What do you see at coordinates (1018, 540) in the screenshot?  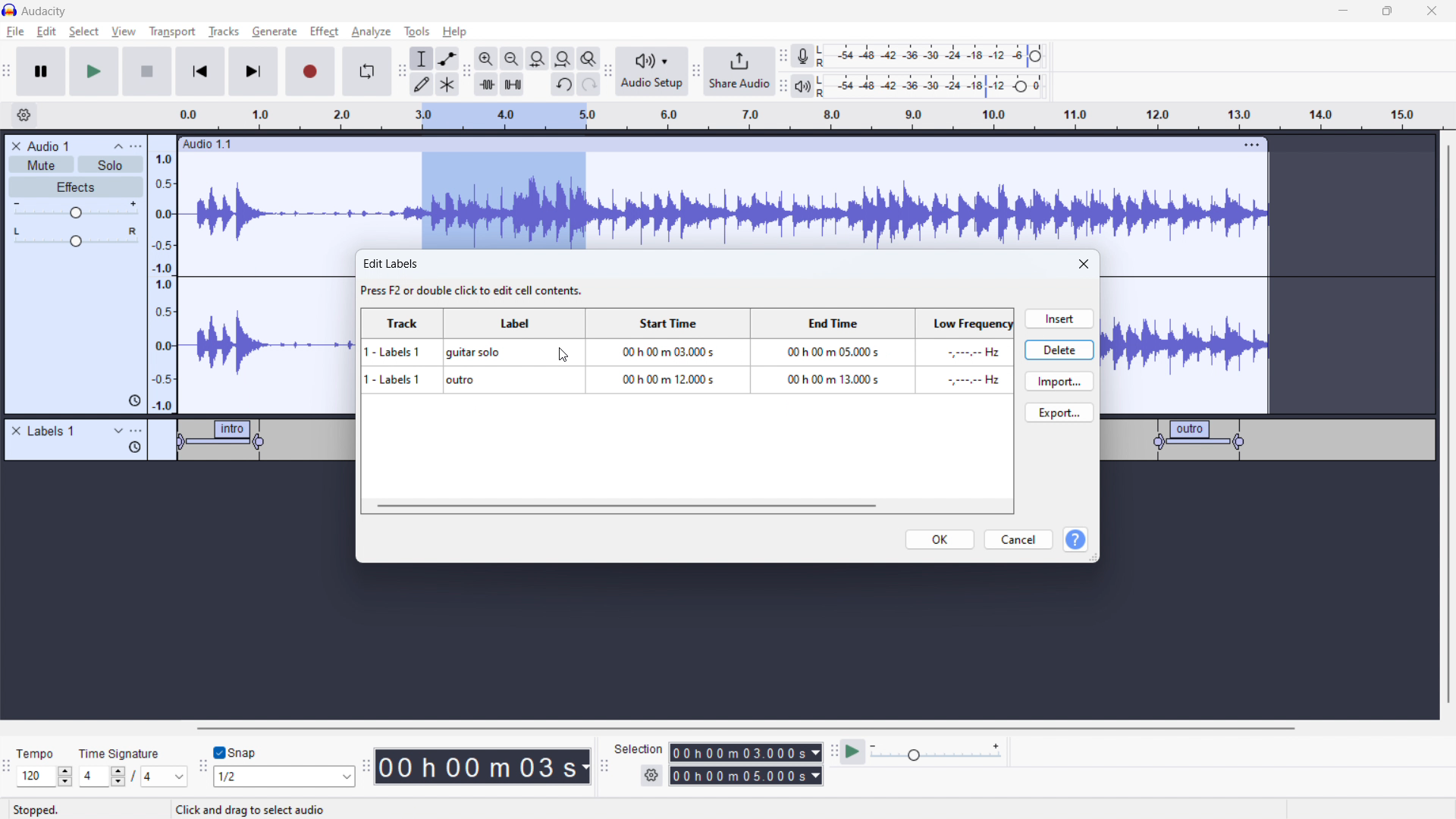 I see `cancel` at bounding box center [1018, 540].